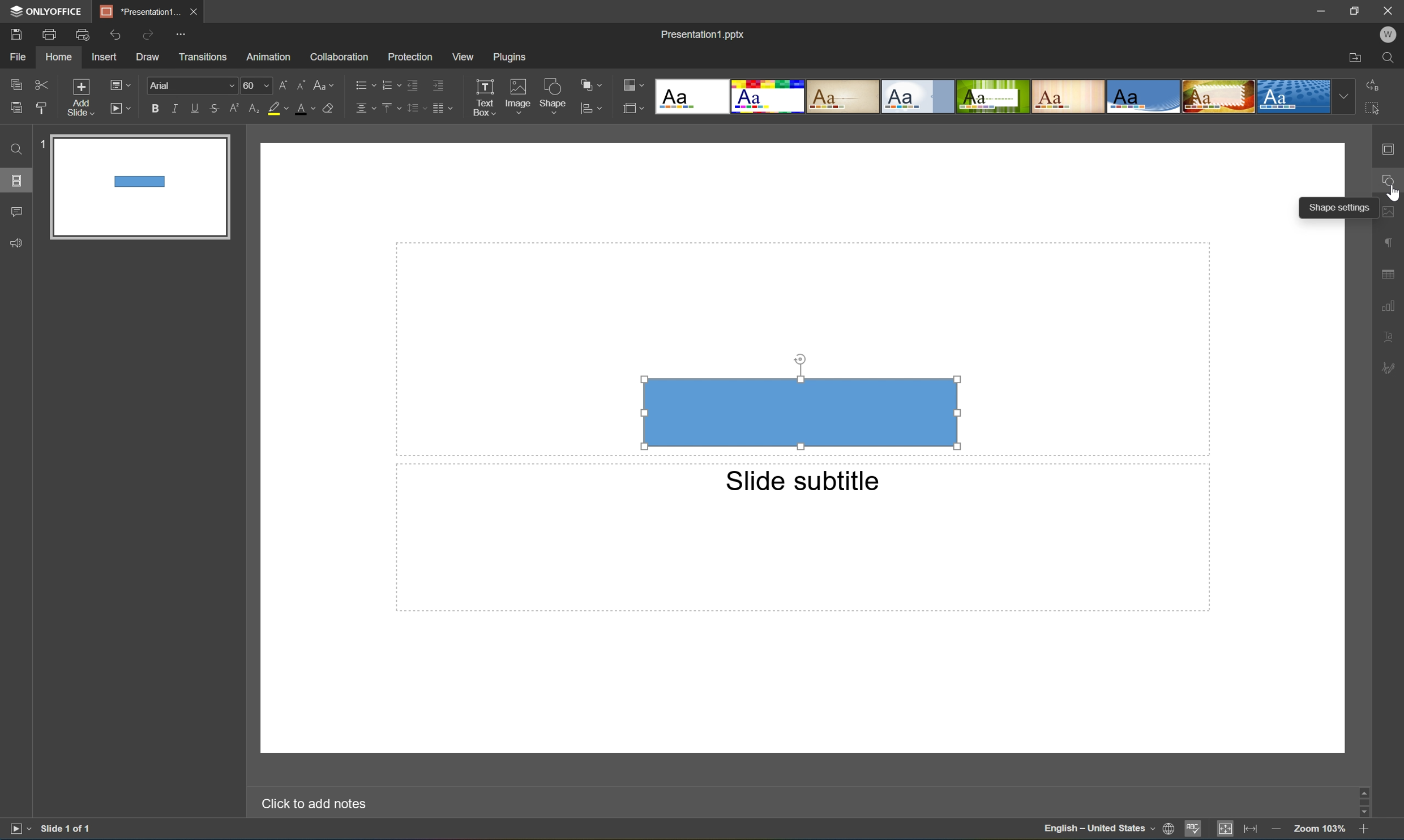 Image resolution: width=1404 pixels, height=840 pixels. I want to click on Strikethrough, so click(214, 110).